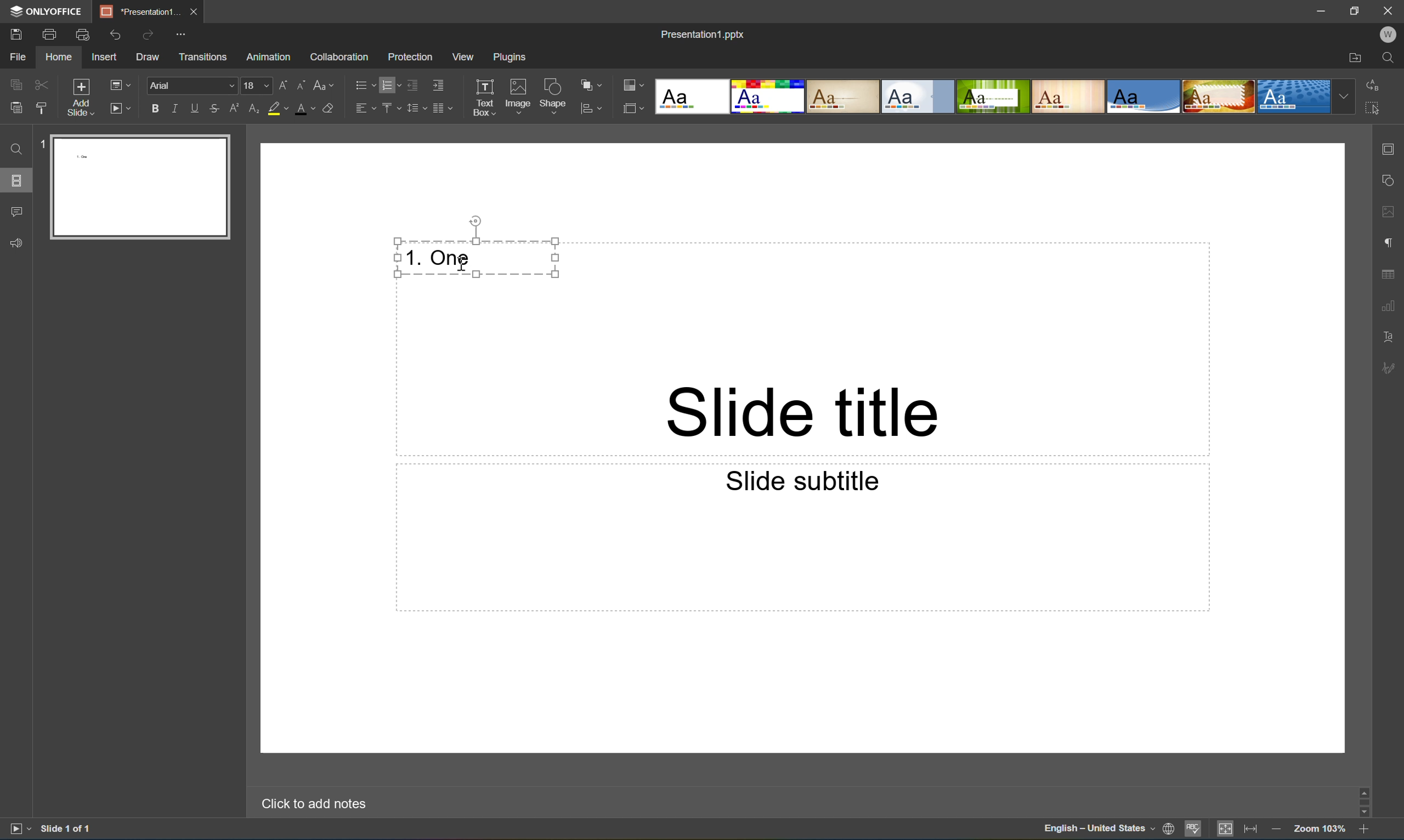 This screenshot has height=840, width=1404. Describe the element at coordinates (443, 112) in the screenshot. I see `Insert columns` at that location.